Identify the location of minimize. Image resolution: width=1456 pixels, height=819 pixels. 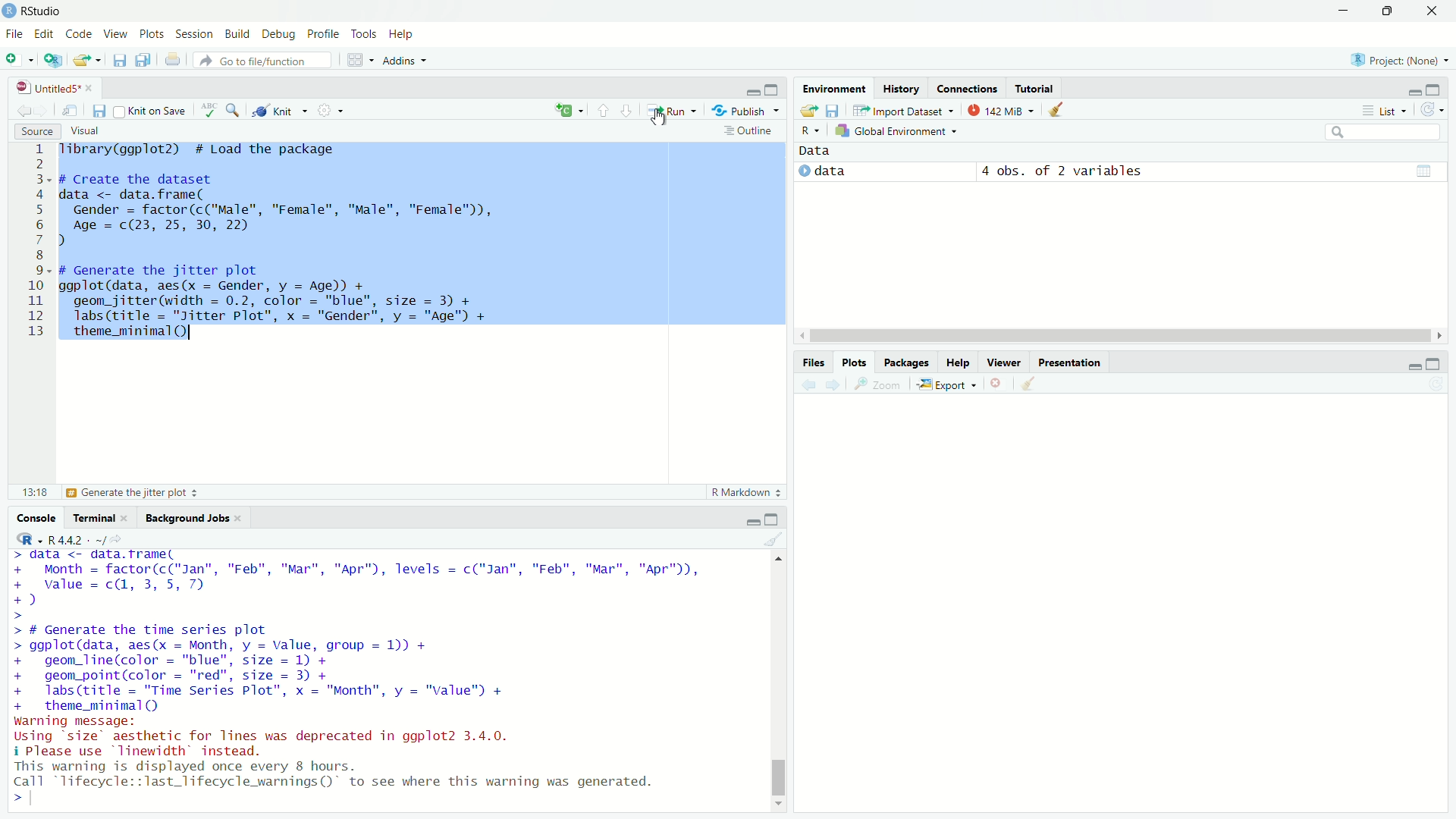
(752, 88).